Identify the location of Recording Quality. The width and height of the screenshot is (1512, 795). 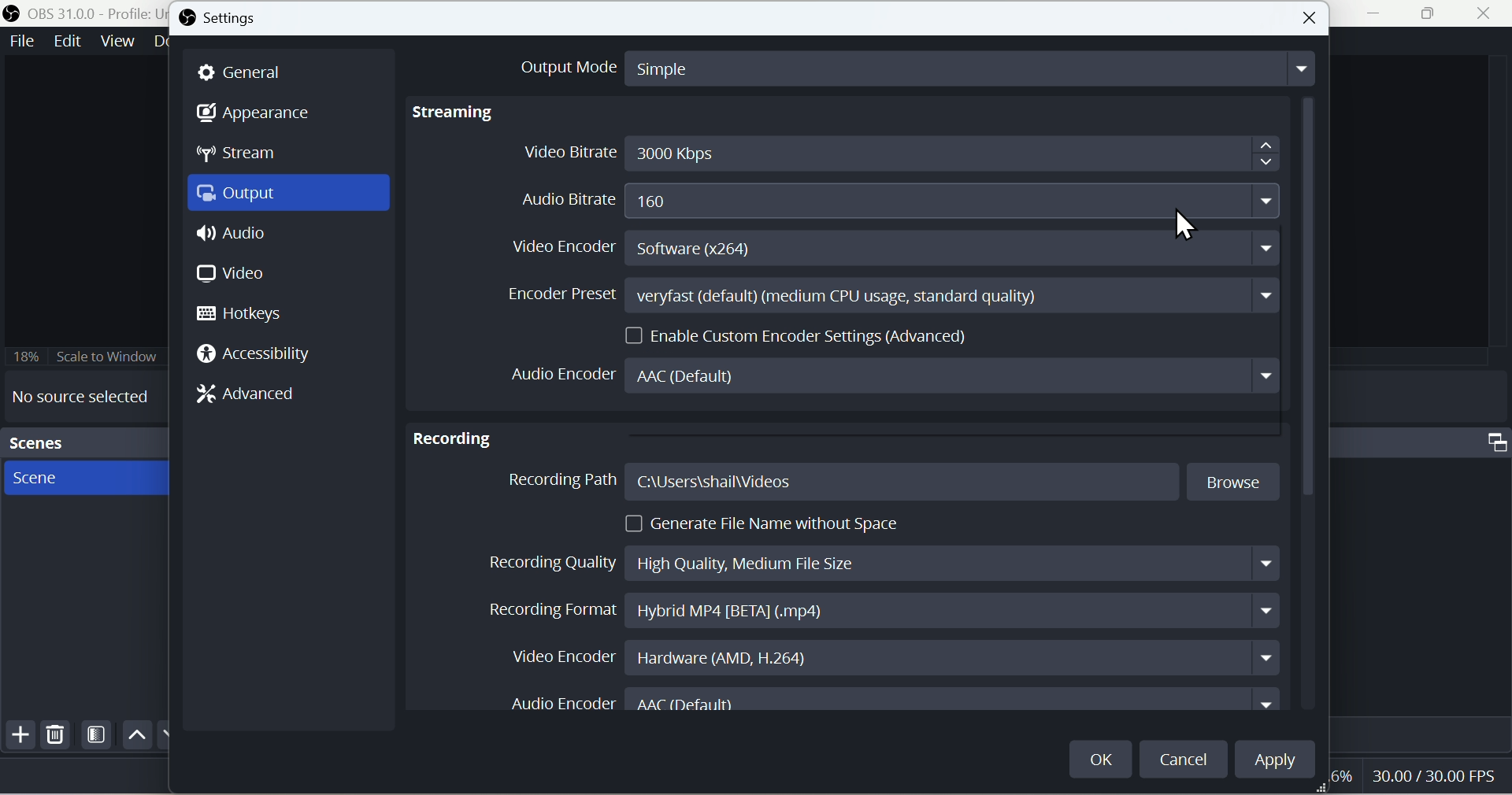
(879, 559).